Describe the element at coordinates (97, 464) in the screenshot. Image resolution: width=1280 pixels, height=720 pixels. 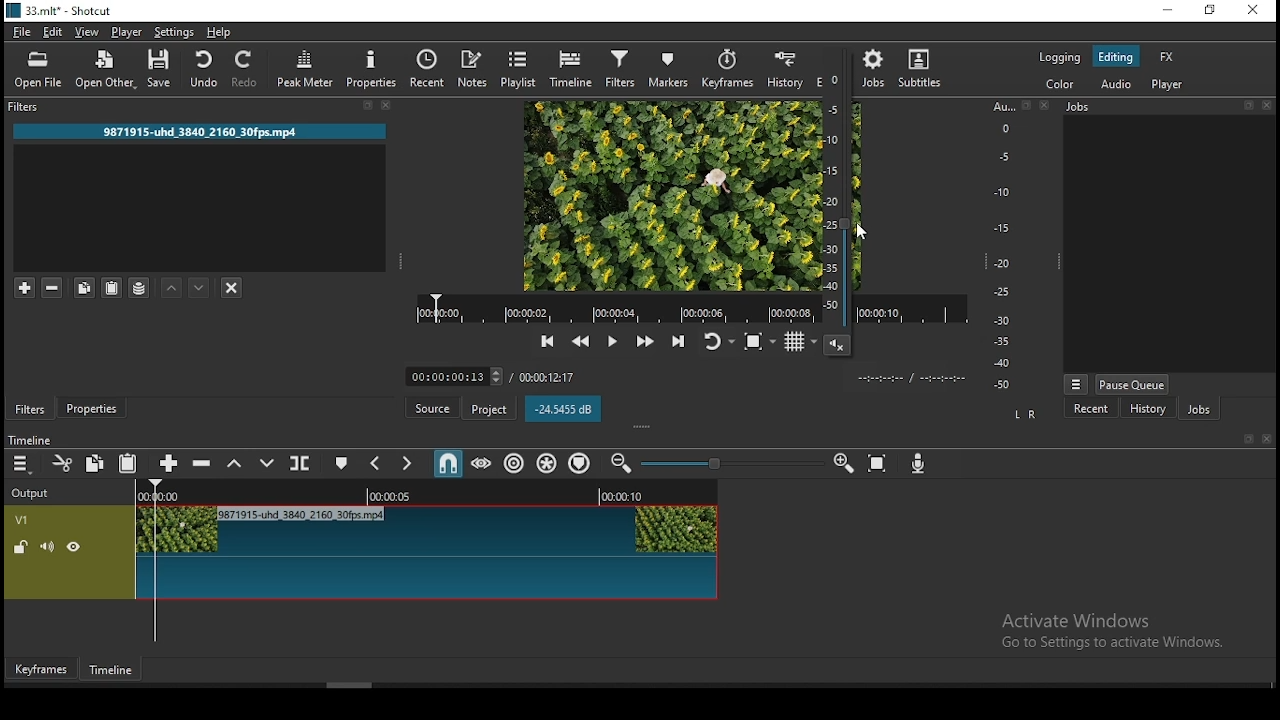
I see `copy` at that location.